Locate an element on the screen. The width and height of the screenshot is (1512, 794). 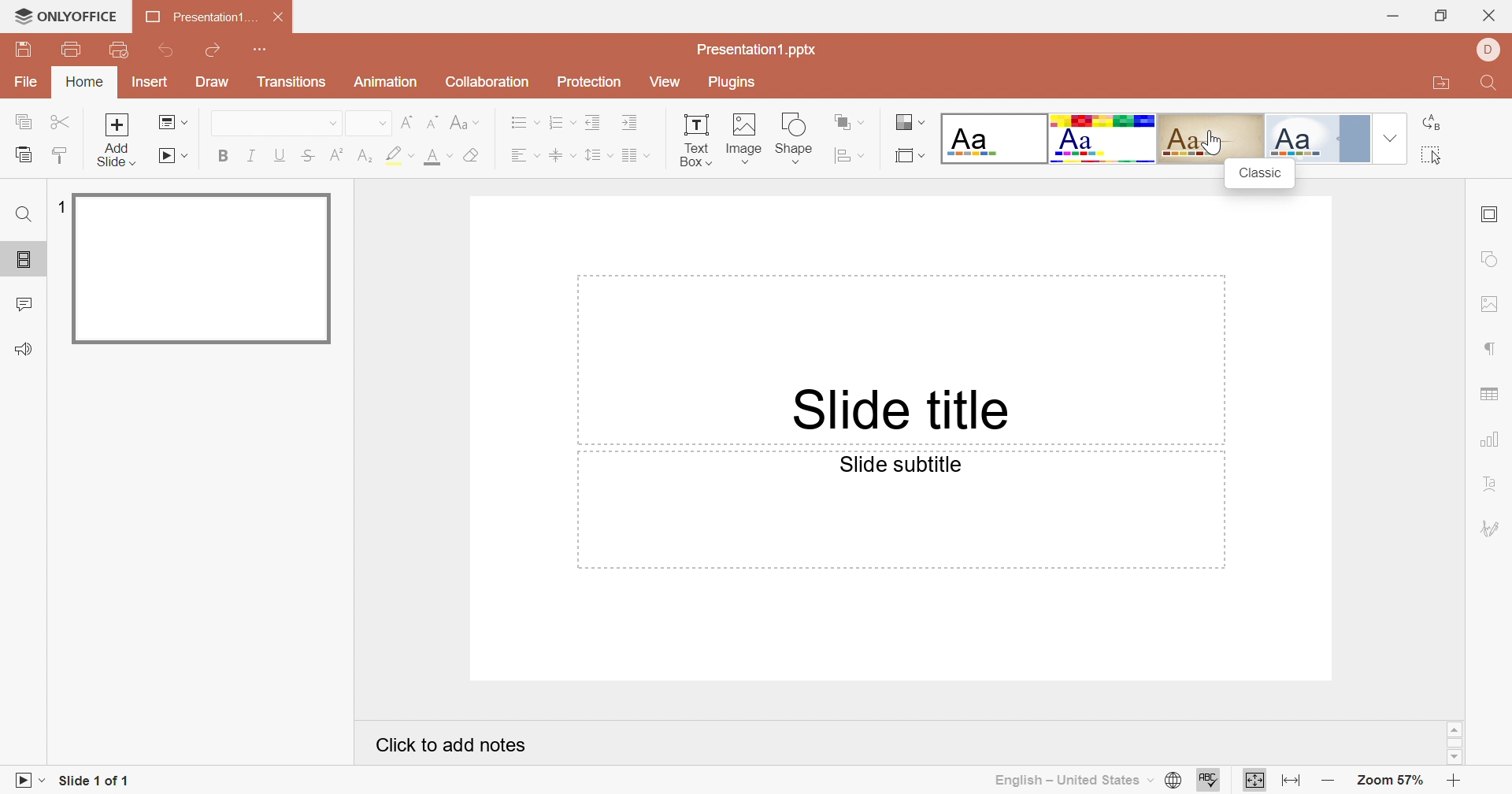
Drop Down is located at coordinates (449, 154).